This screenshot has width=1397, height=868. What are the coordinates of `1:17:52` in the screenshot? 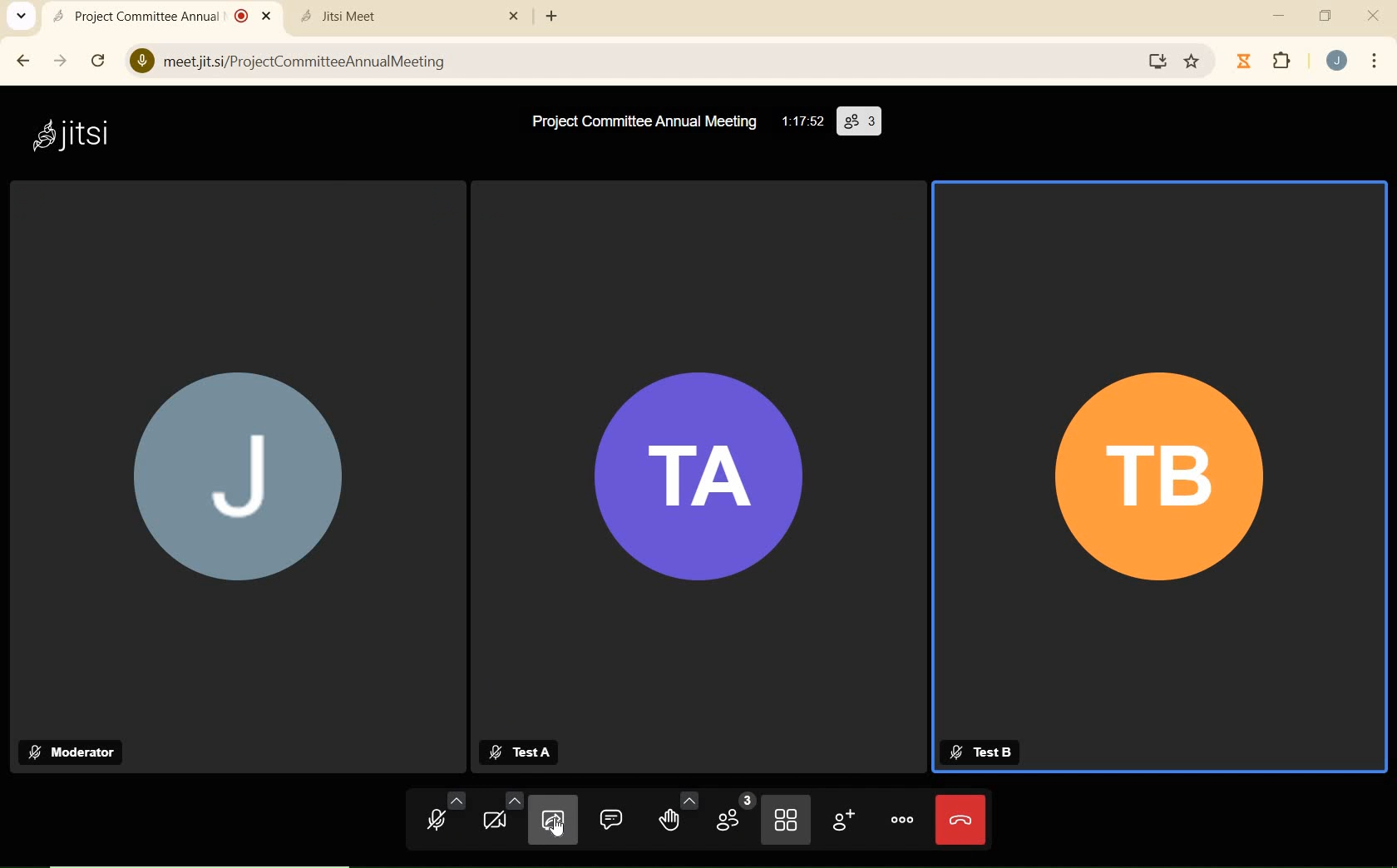 It's located at (800, 121).